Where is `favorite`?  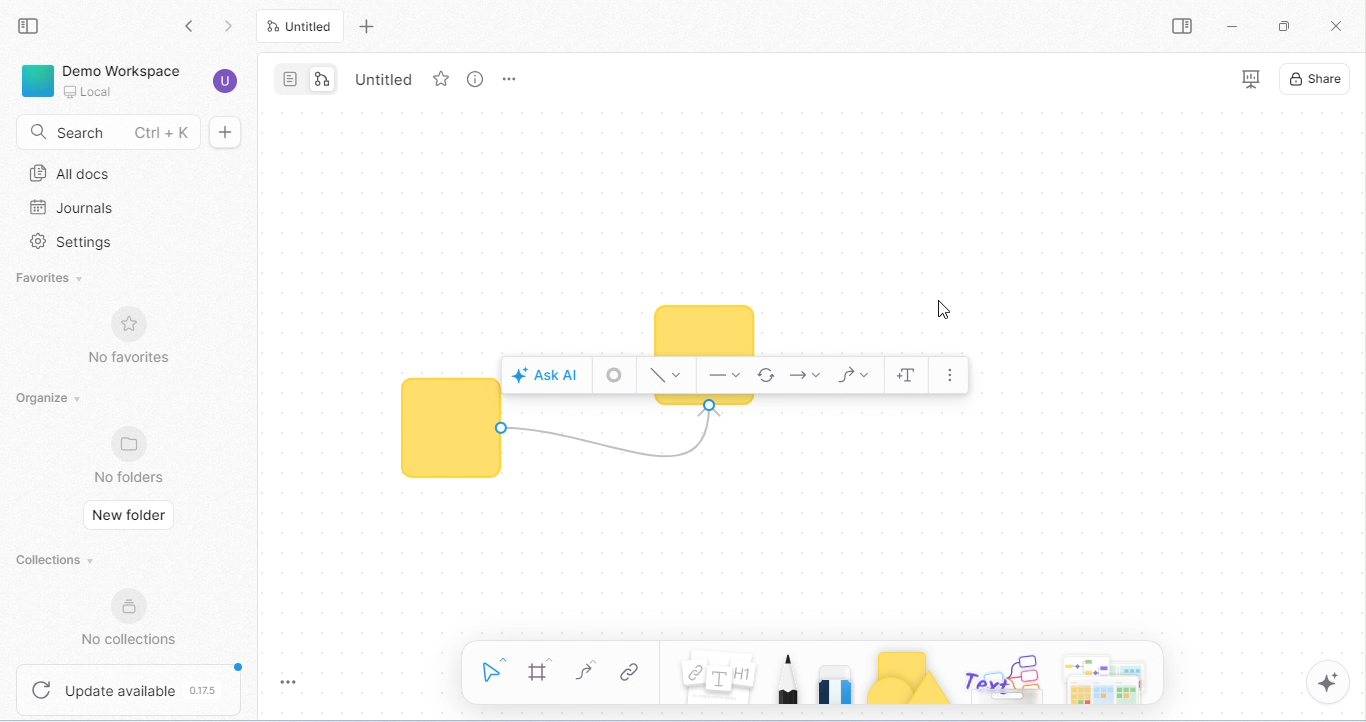
favorite is located at coordinates (441, 79).